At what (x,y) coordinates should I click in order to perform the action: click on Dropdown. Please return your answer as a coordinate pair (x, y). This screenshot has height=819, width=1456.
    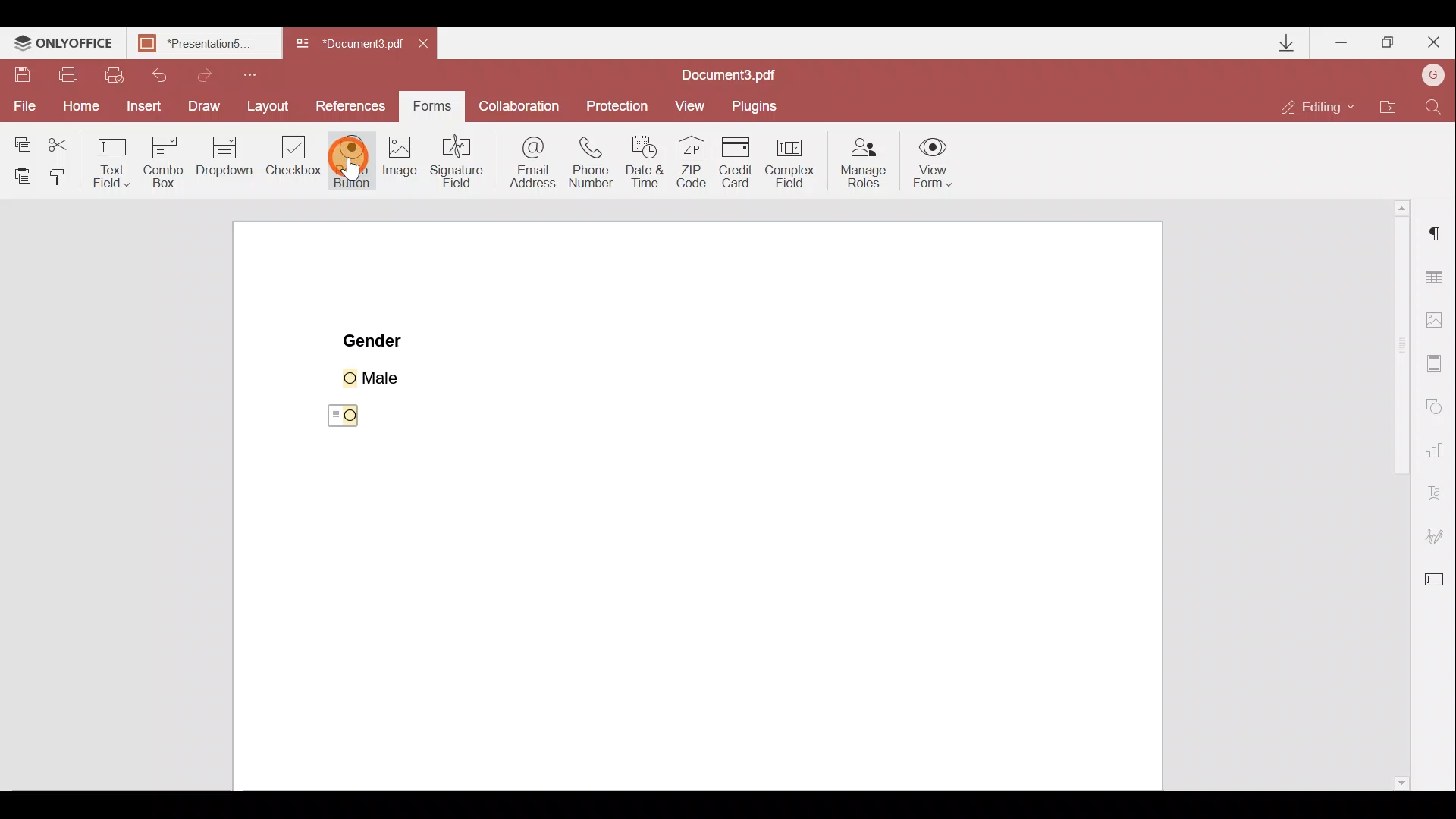
    Looking at the image, I should click on (224, 163).